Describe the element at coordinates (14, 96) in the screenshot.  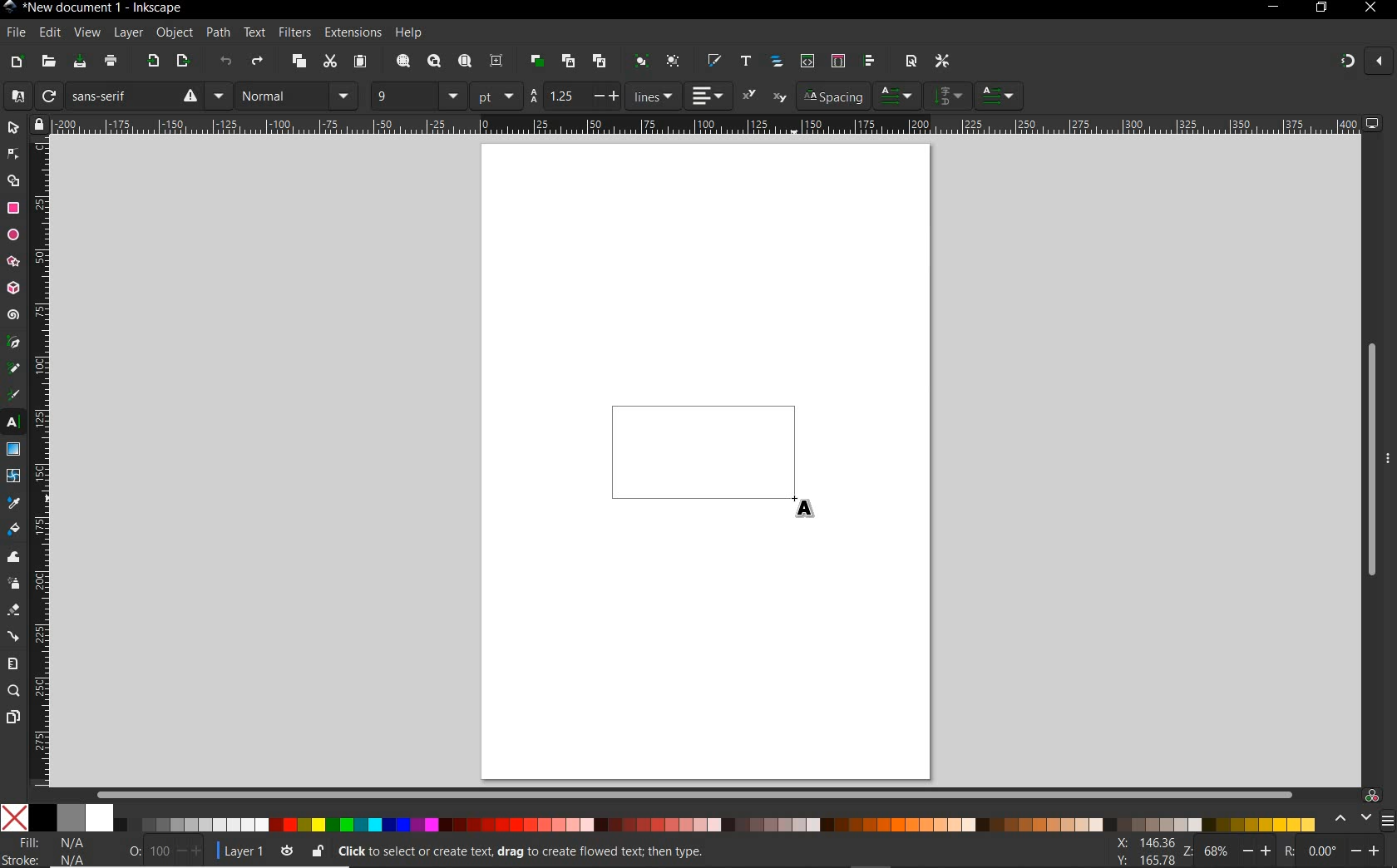
I see `A` at that location.